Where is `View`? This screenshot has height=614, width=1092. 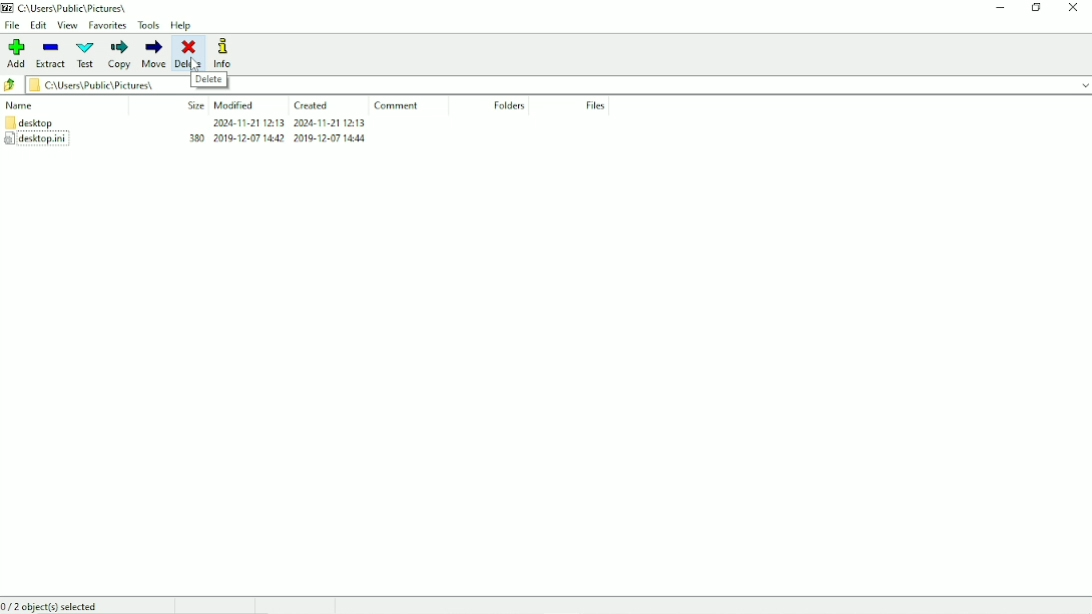
View is located at coordinates (68, 26).